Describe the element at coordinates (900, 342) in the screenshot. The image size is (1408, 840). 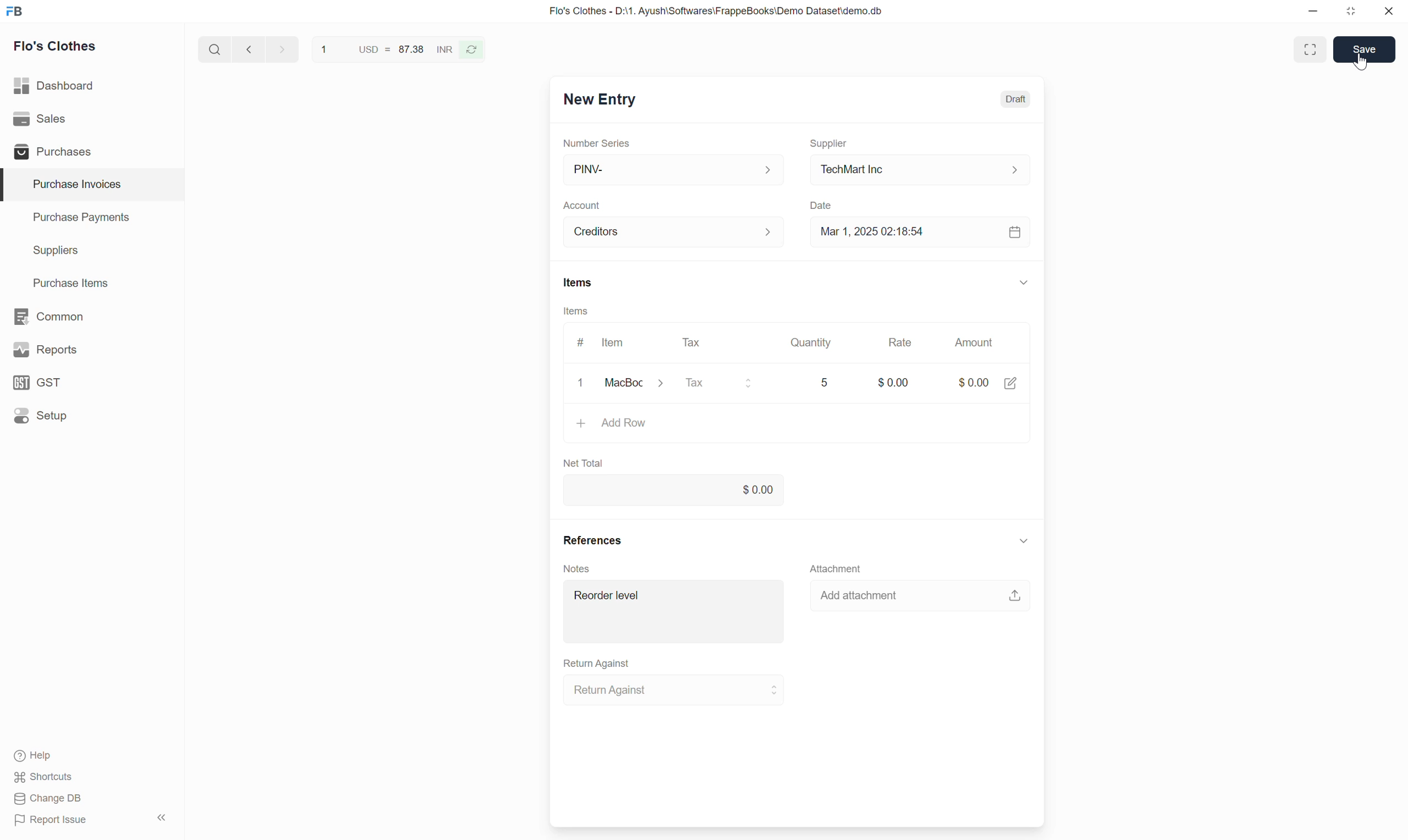
I see `Rate` at that location.